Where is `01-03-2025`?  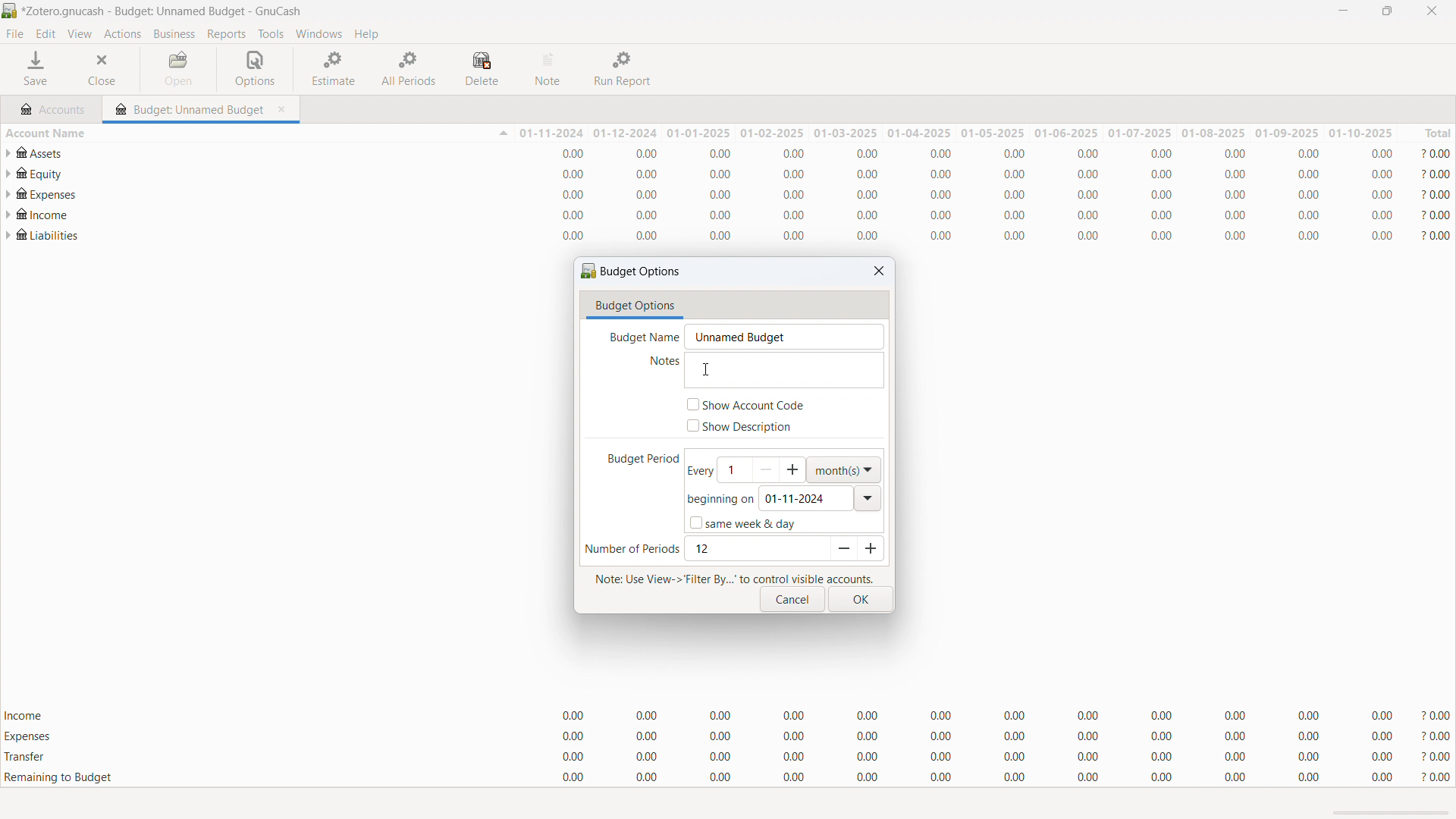
01-03-2025 is located at coordinates (844, 132).